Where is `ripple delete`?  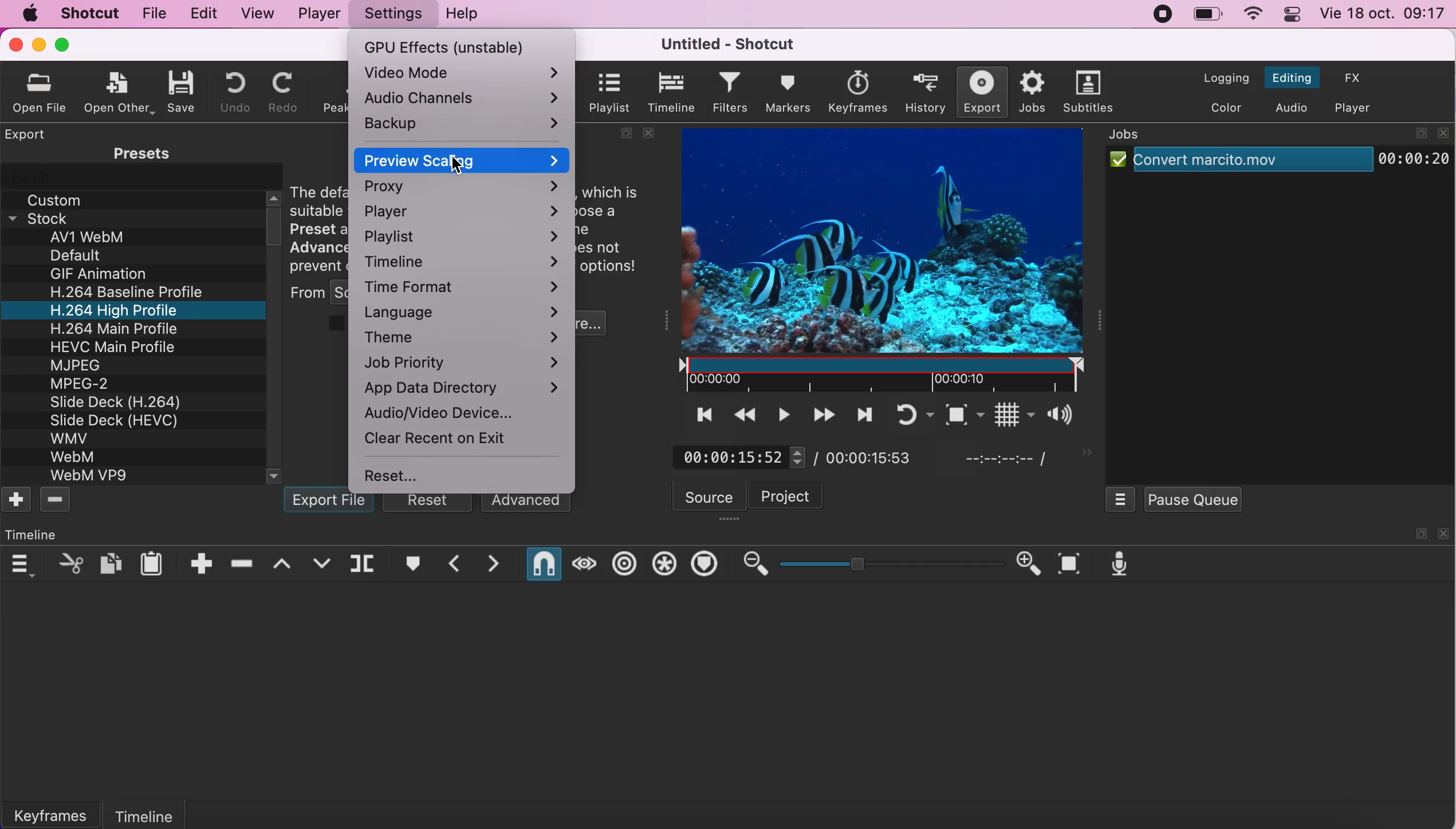
ripple delete is located at coordinates (244, 563).